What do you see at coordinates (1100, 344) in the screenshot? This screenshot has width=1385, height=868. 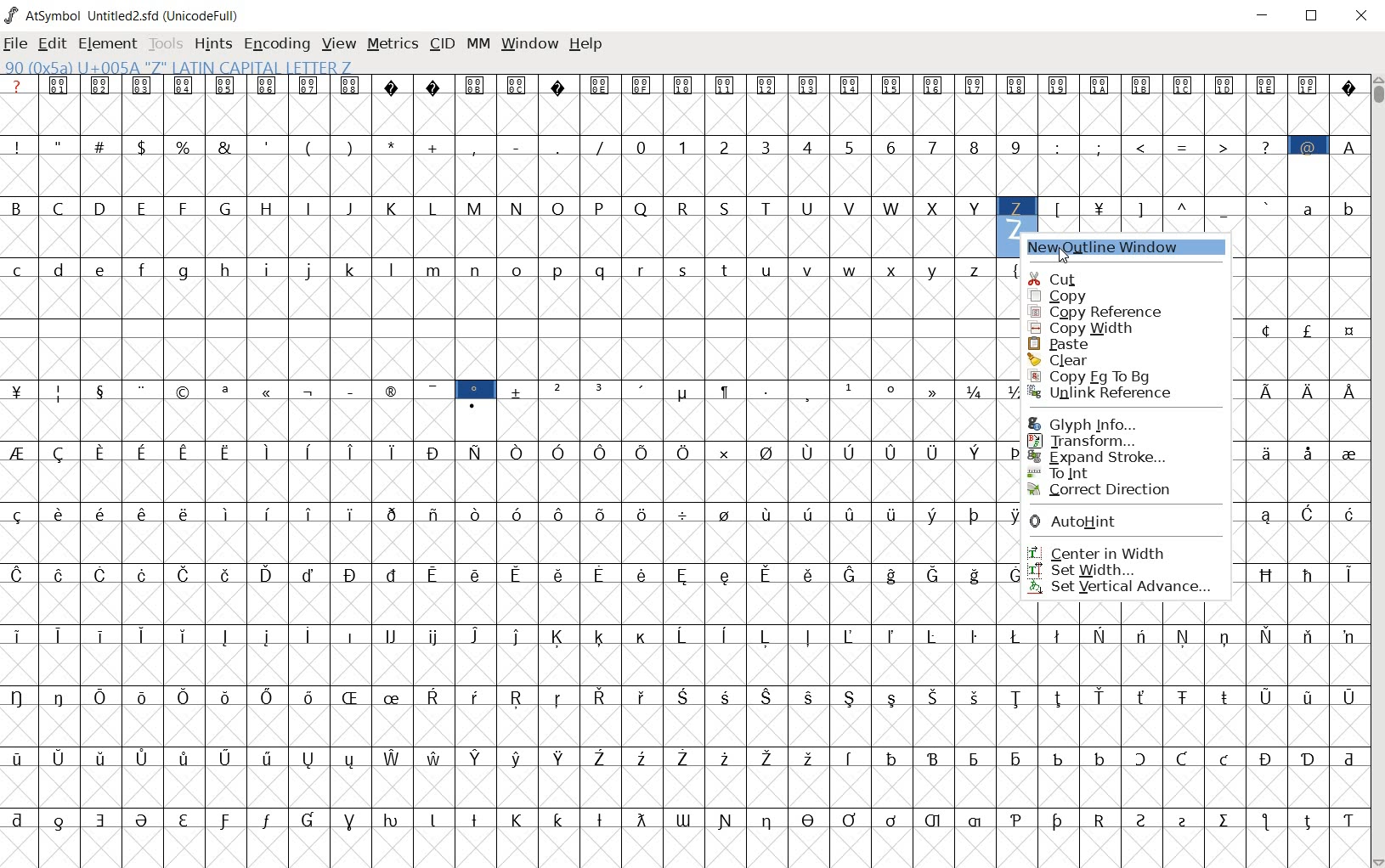 I see `paste` at bounding box center [1100, 344].